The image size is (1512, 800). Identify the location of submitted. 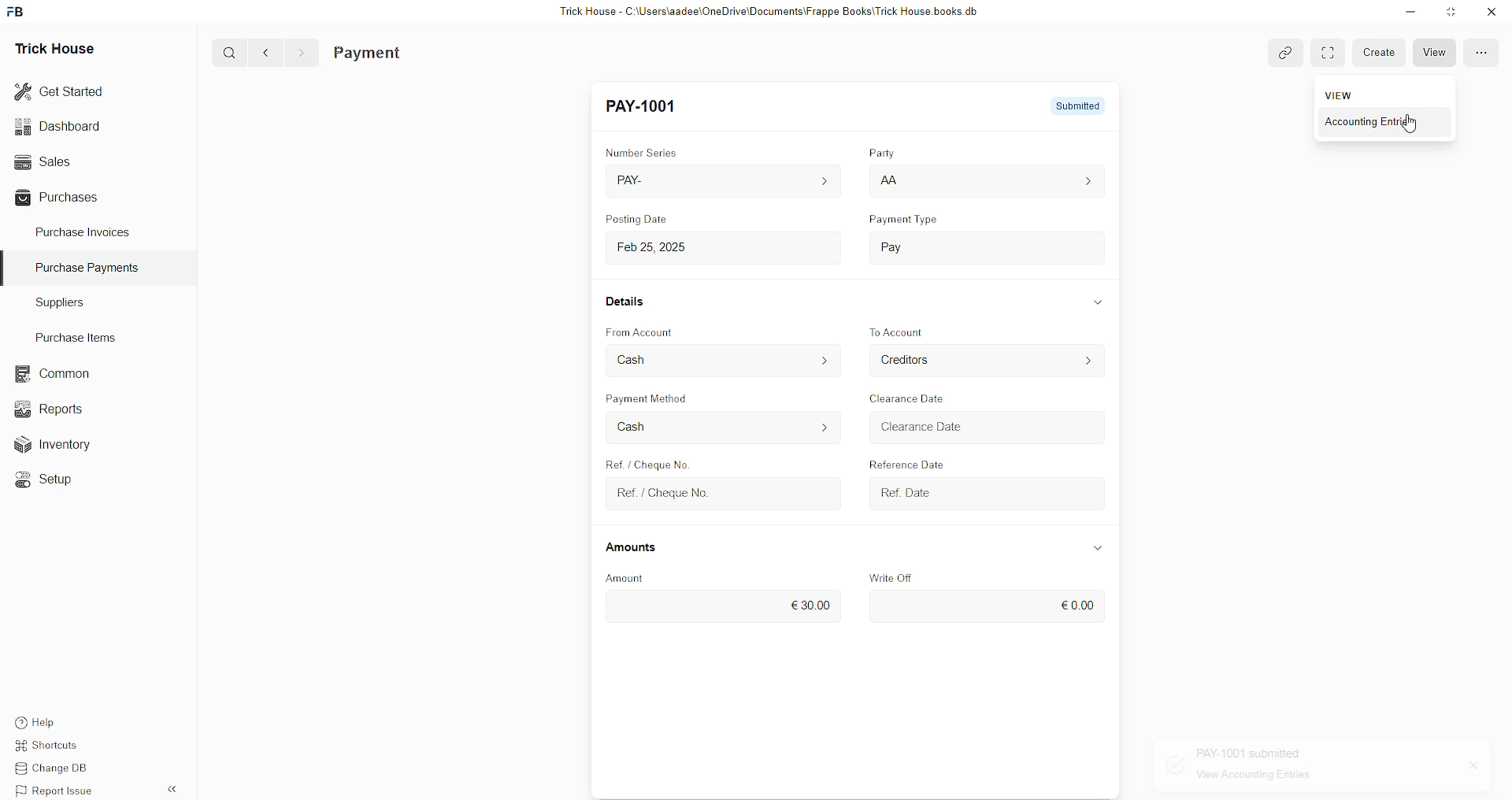
(1070, 104).